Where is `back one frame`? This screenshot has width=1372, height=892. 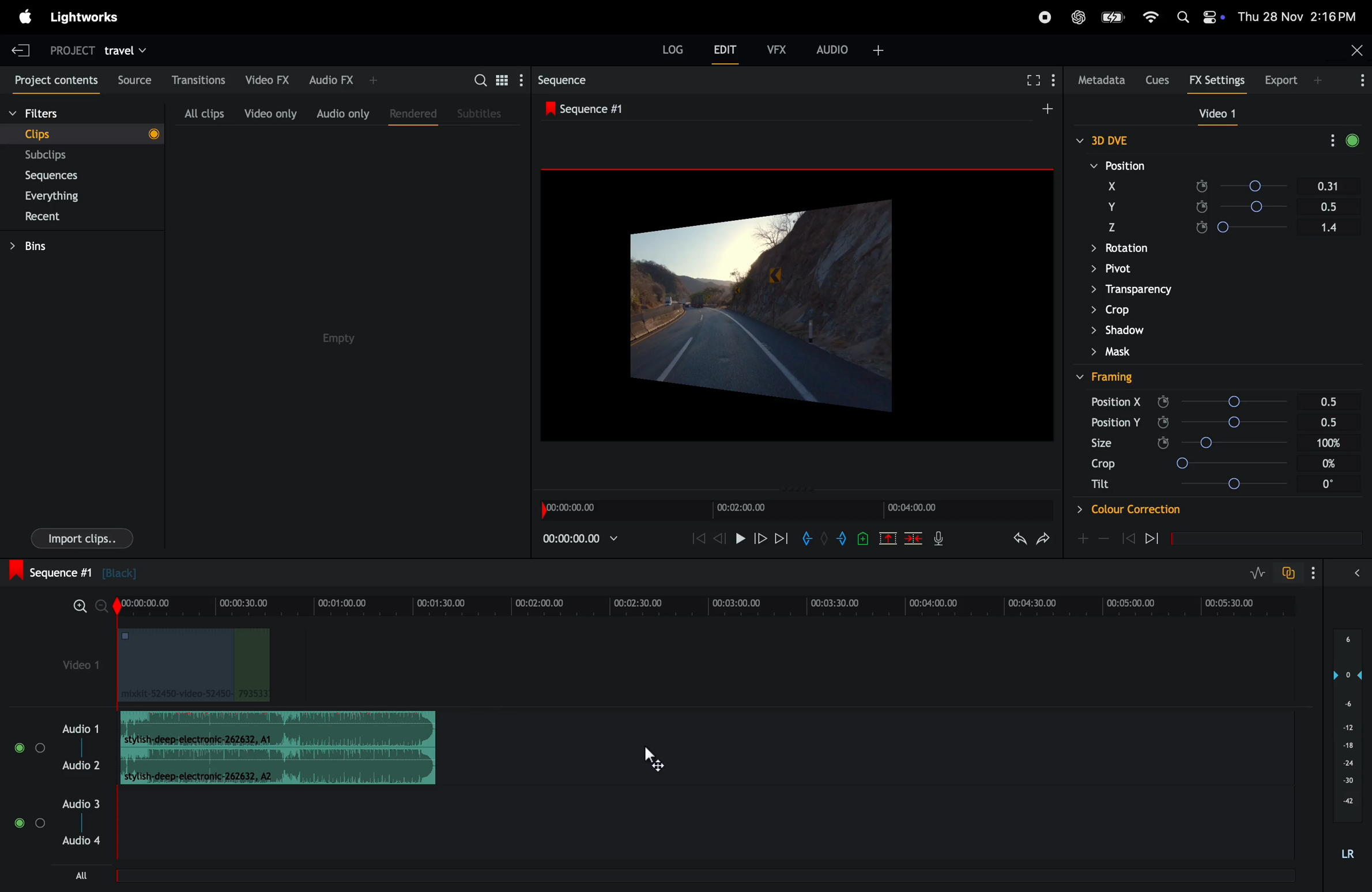
back one frame is located at coordinates (721, 537).